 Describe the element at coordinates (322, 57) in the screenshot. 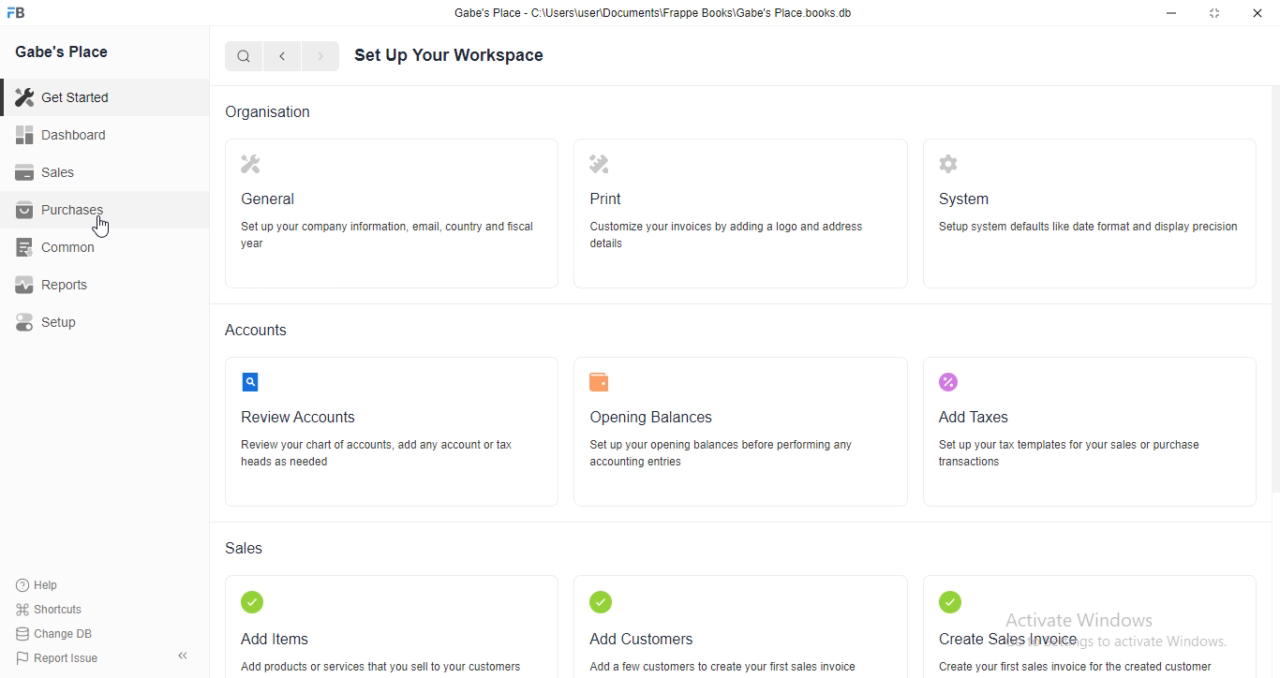

I see `navigate forward` at that location.